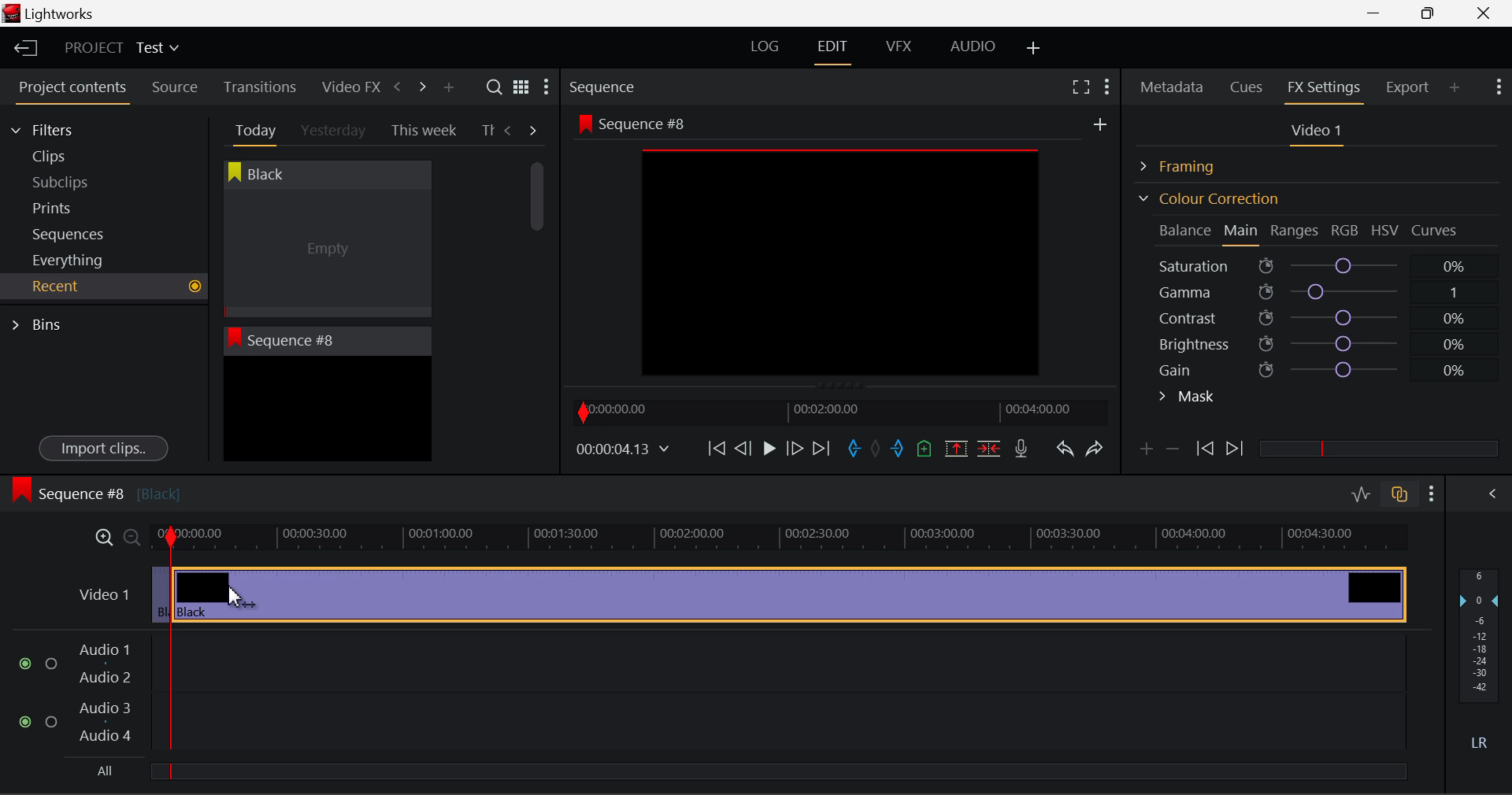 This screenshot has height=795, width=1512. Describe the element at coordinates (335, 131) in the screenshot. I see `Yesterday Tab` at that location.